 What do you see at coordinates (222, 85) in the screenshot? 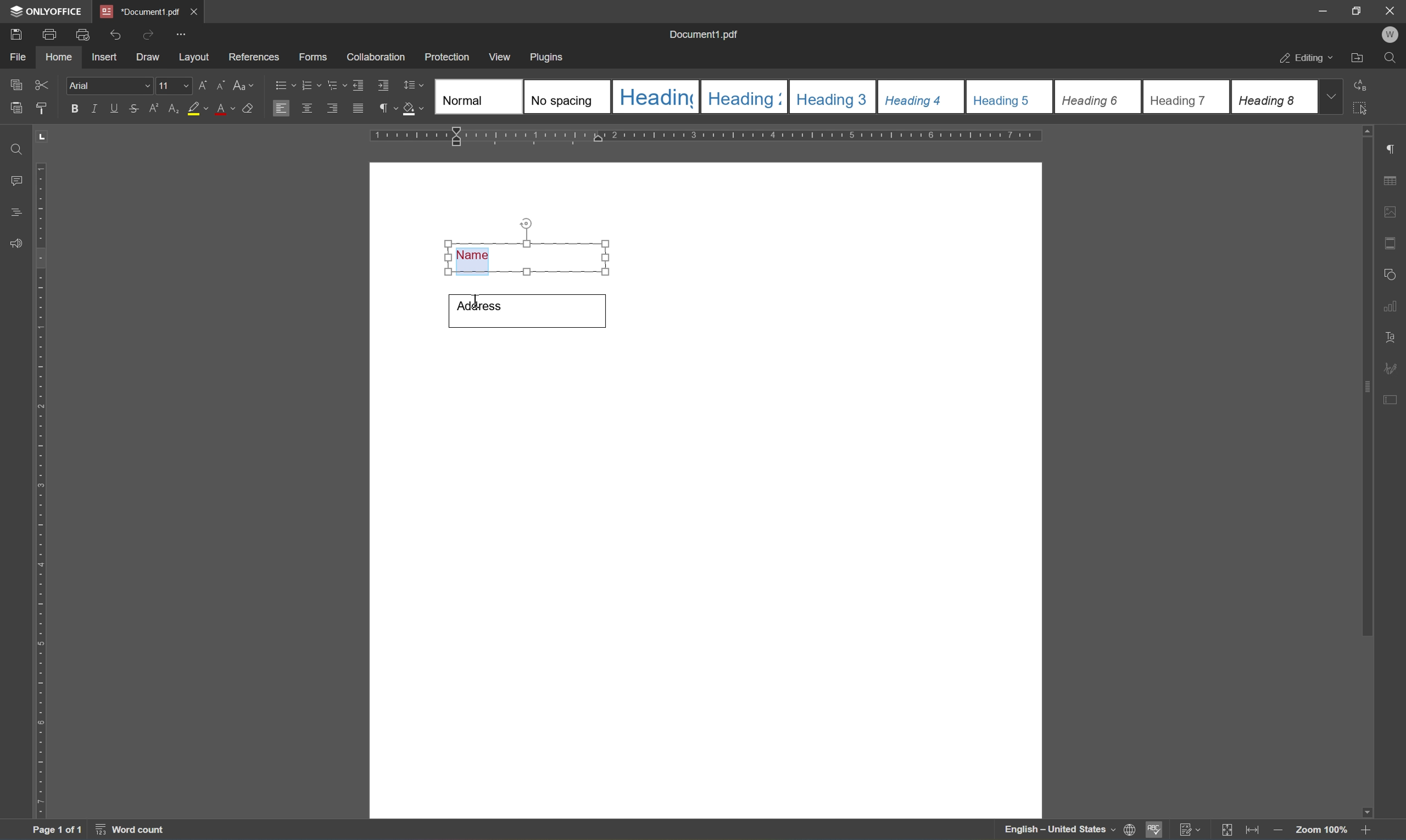
I see `decrement font size` at bounding box center [222, 85].